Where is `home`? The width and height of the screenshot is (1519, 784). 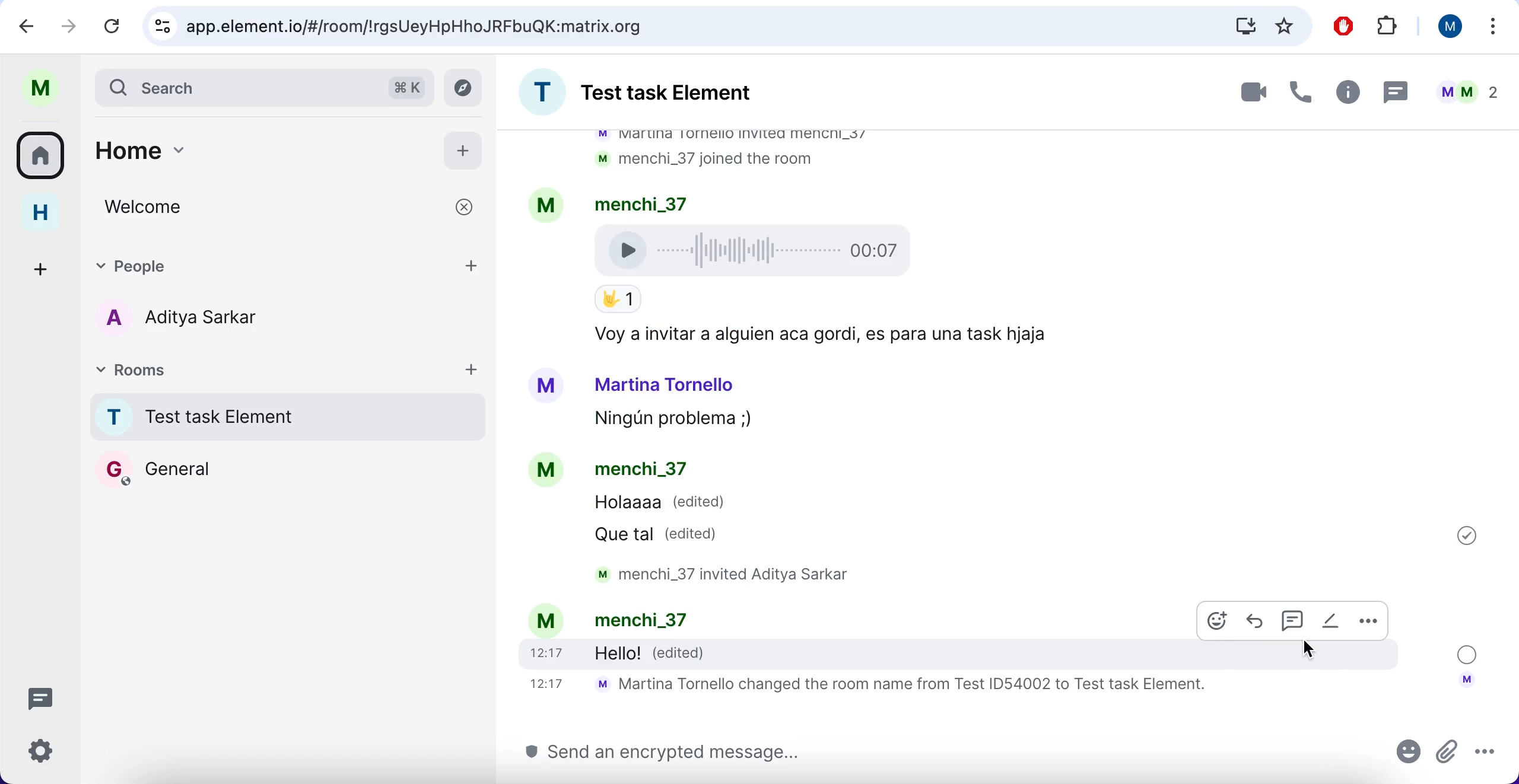
home is located at coordinates (253, 146).